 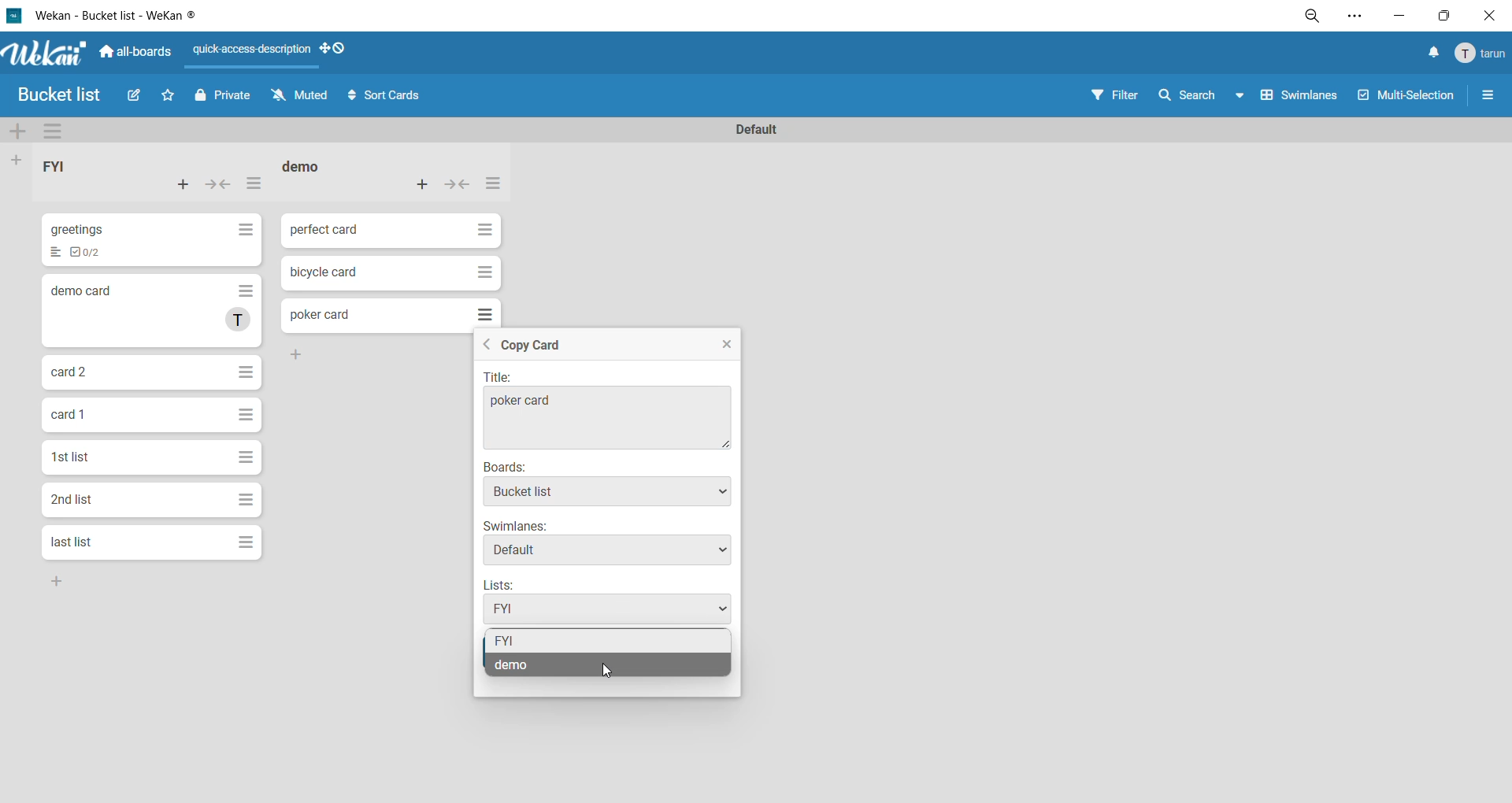 What do you see at coordinates (458, 187) in the screenshot?
I see `collapse` at bounding box center [458, 187].